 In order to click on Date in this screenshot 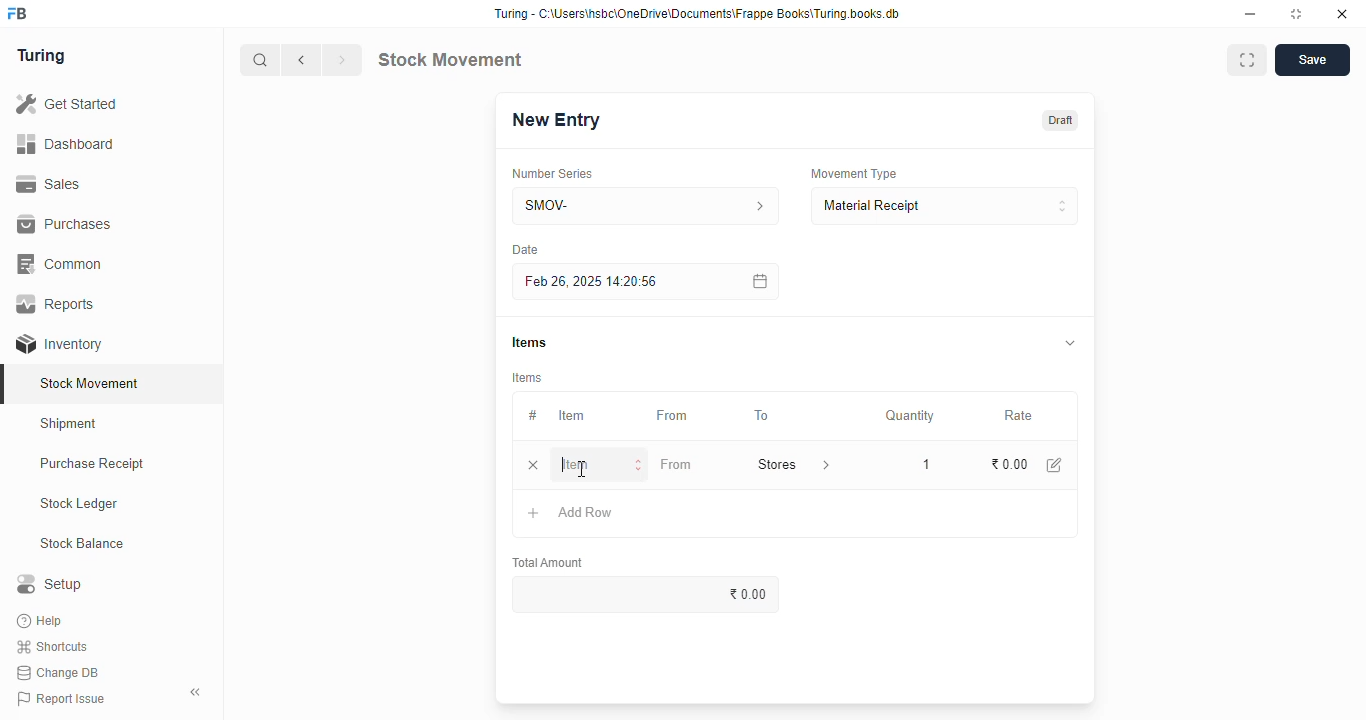, I will do `click(525, 249)`.